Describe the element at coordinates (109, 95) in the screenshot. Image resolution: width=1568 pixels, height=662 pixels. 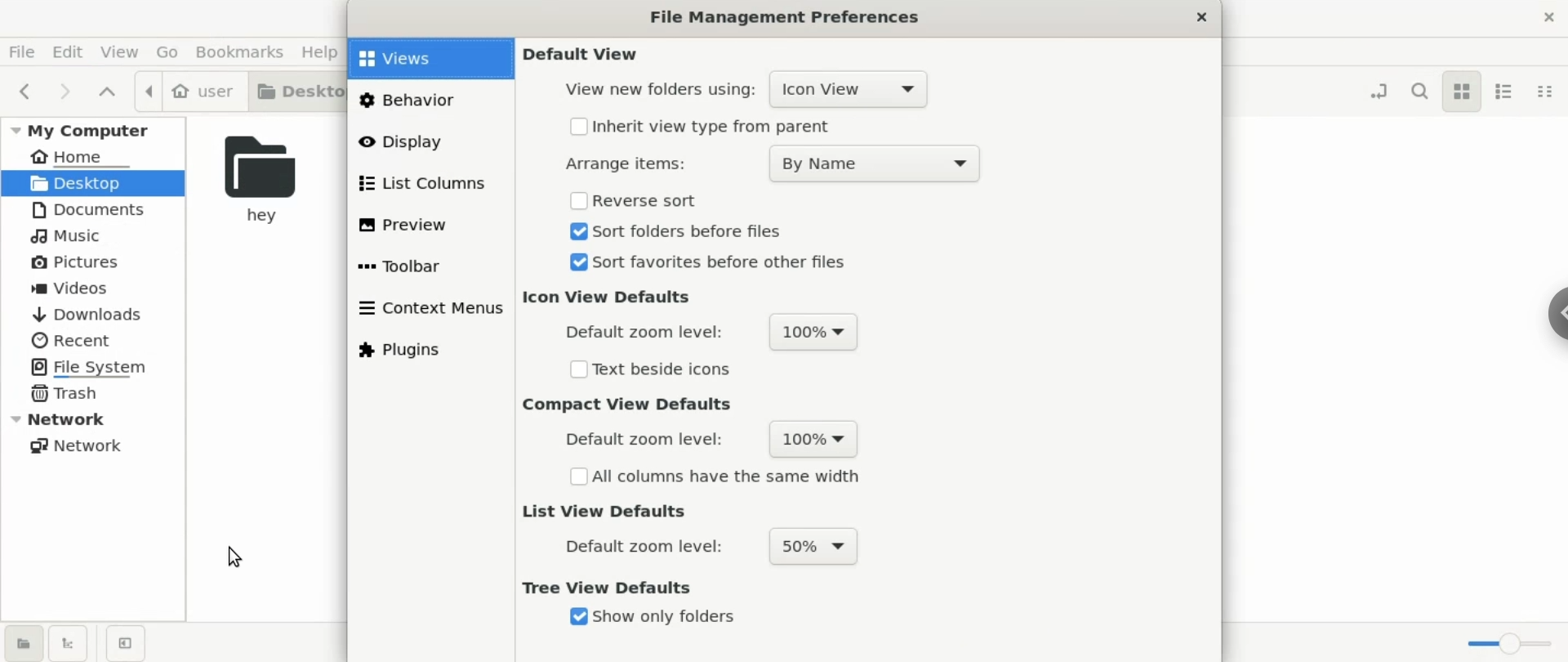
I see `parent folders` at that location.